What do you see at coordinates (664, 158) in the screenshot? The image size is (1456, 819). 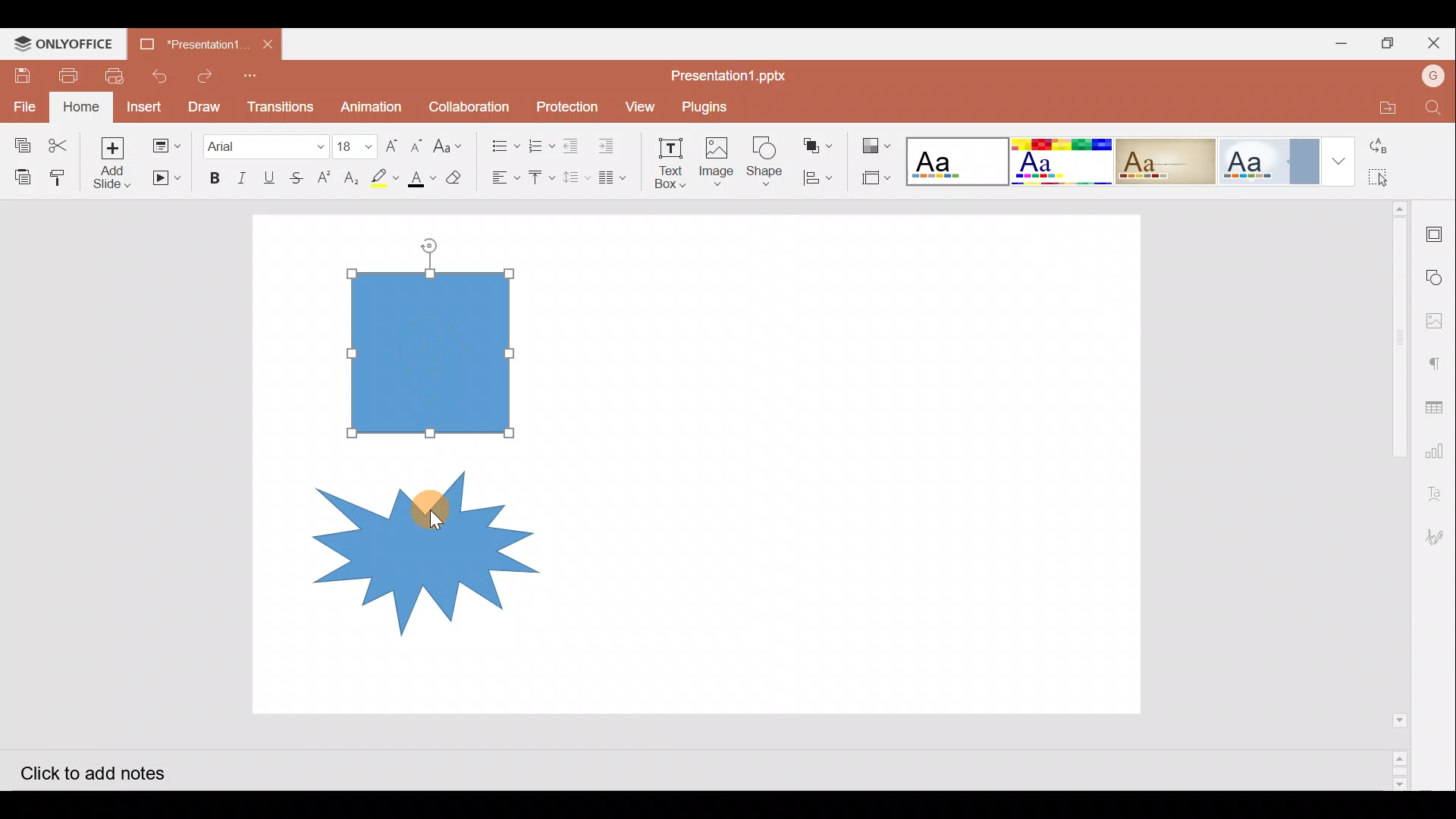 I see `Insert text box` at bounding box center [664, 158].